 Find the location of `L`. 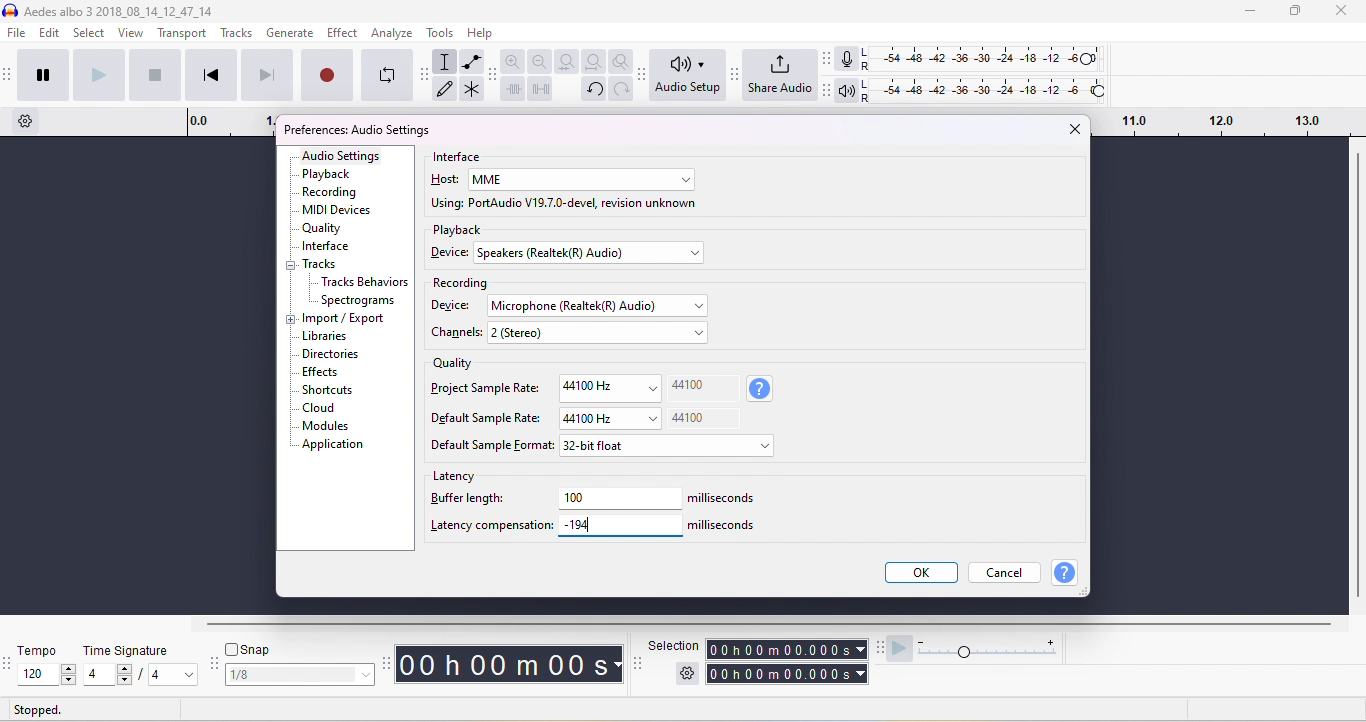

L is located at coordinates (869, 85).